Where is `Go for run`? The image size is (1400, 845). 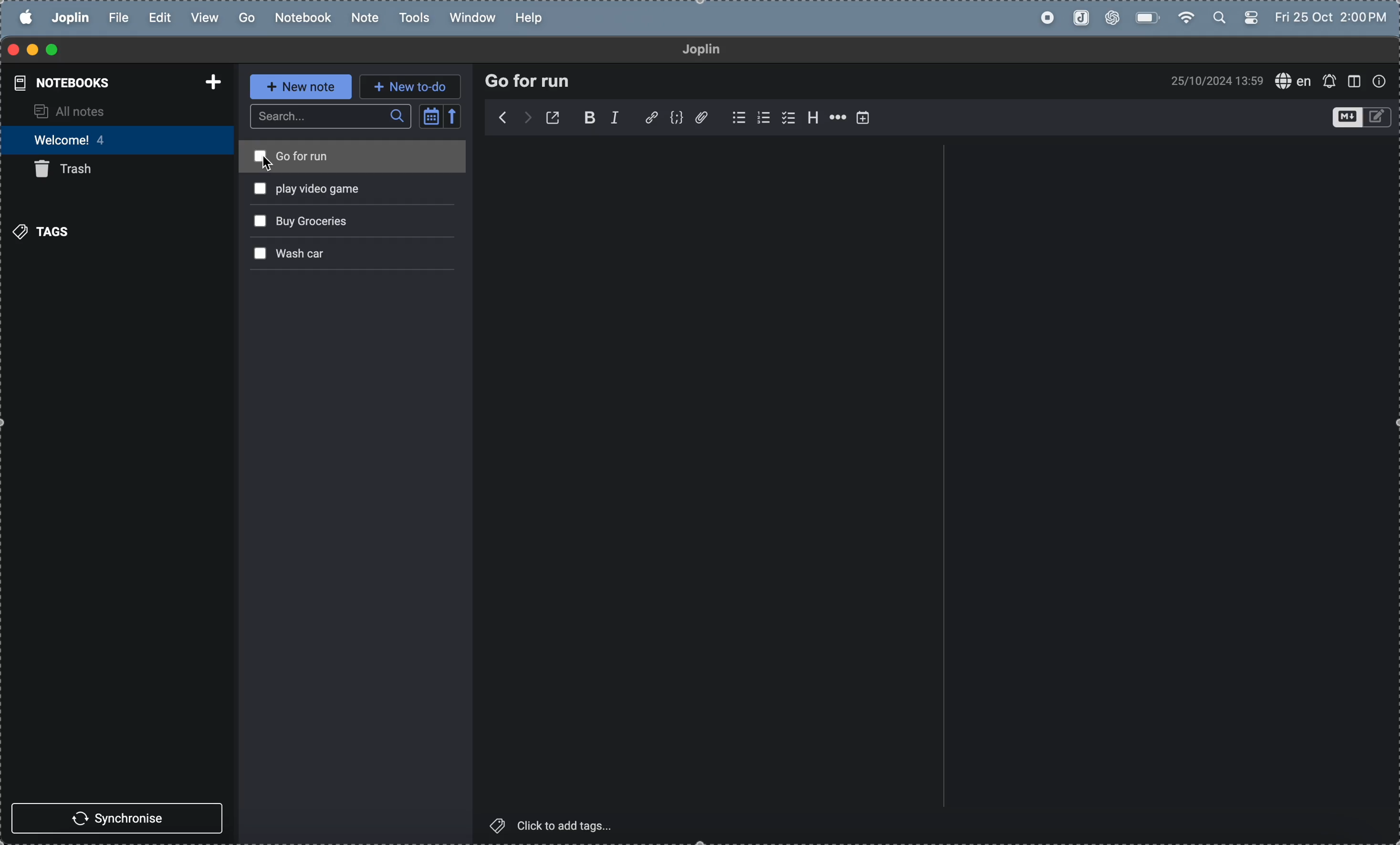 Go for run is located at coordinates (535, 81).